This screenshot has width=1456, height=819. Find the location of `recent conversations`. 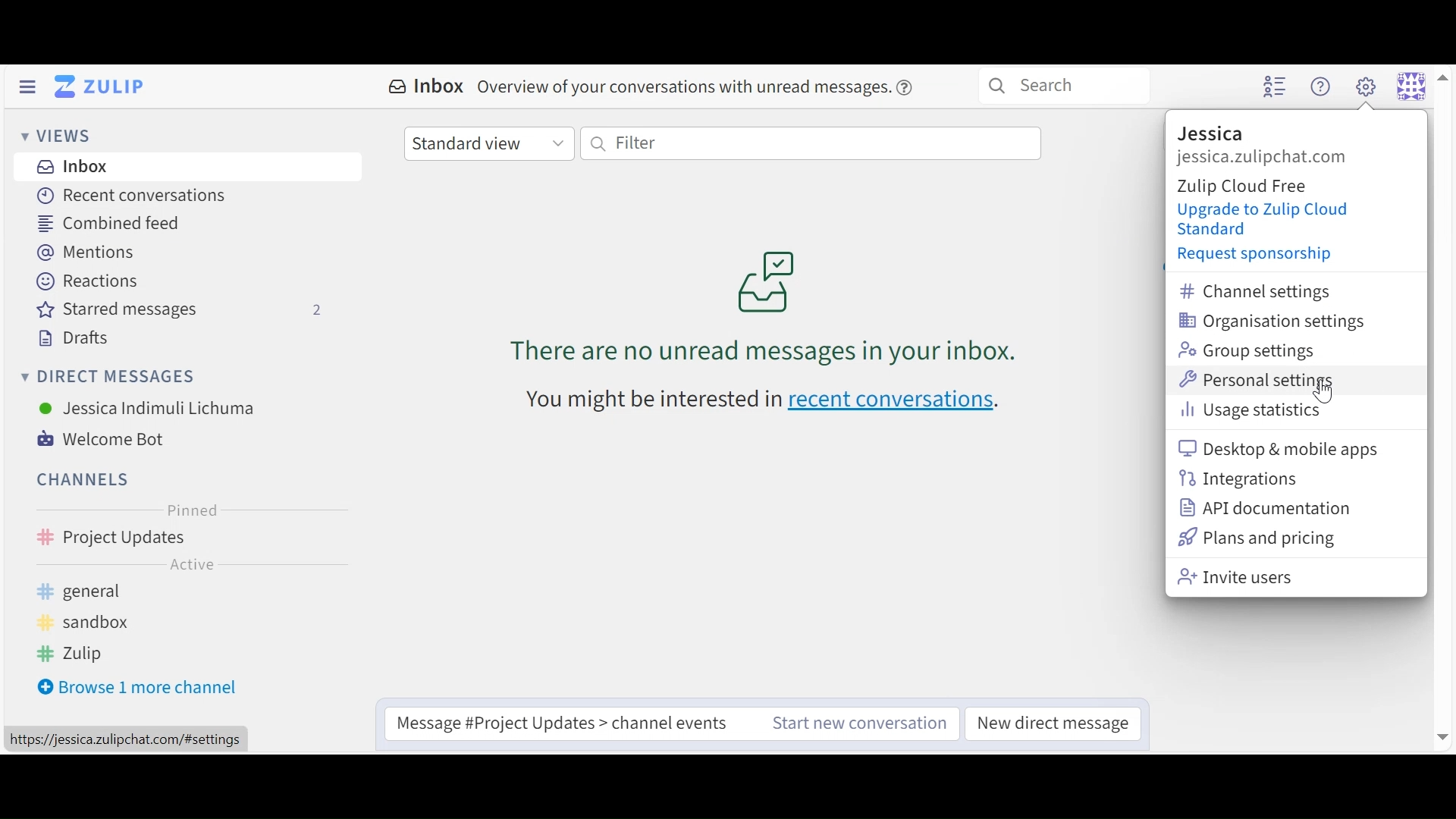

recent conversations is located at coordinates (767, 399).